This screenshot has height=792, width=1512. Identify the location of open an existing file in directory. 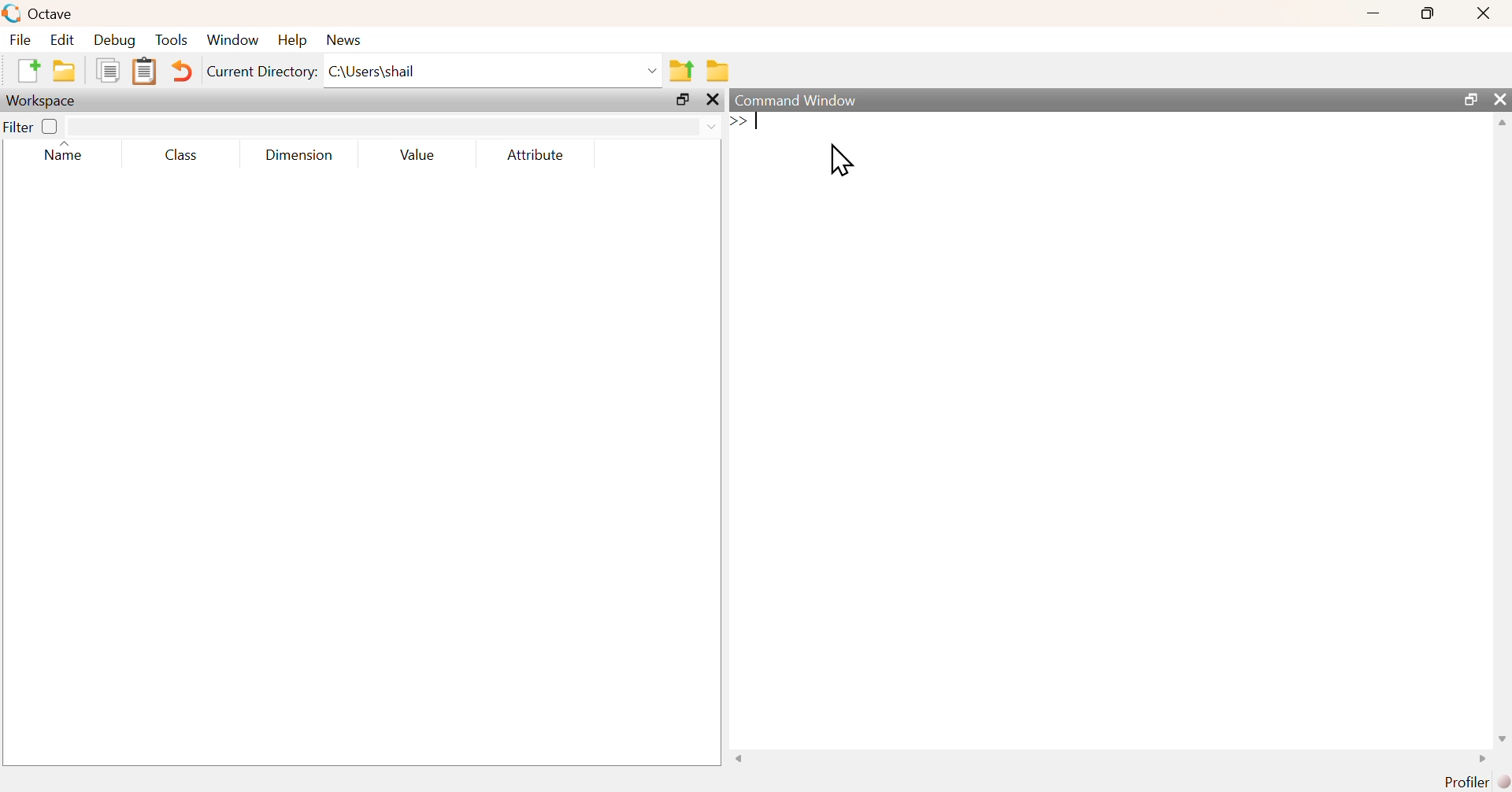
(68, 70).